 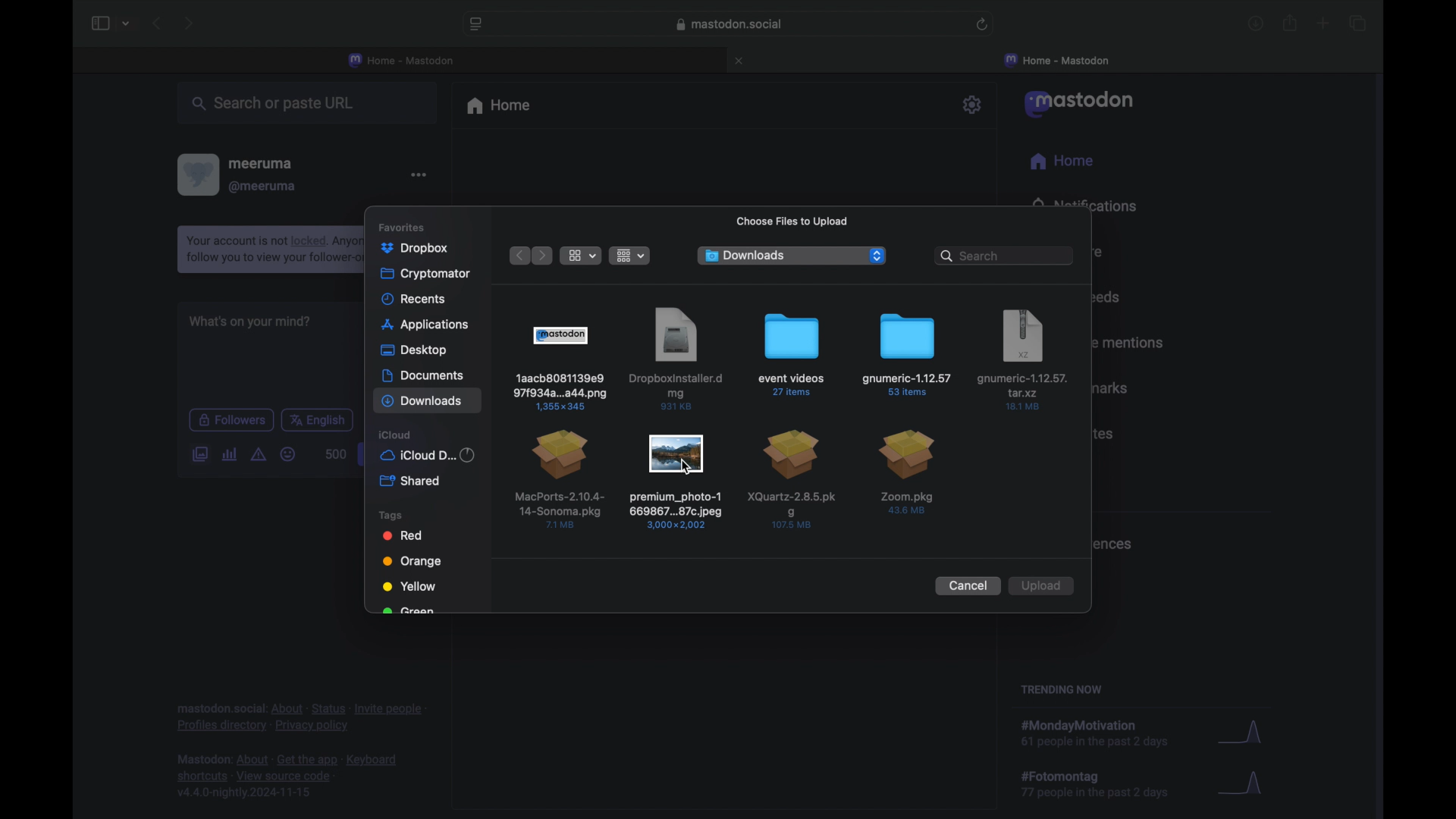 What do you see at coordinates (500, 107) in the screenshot?
I see `home` at bounding box center [500, 107].